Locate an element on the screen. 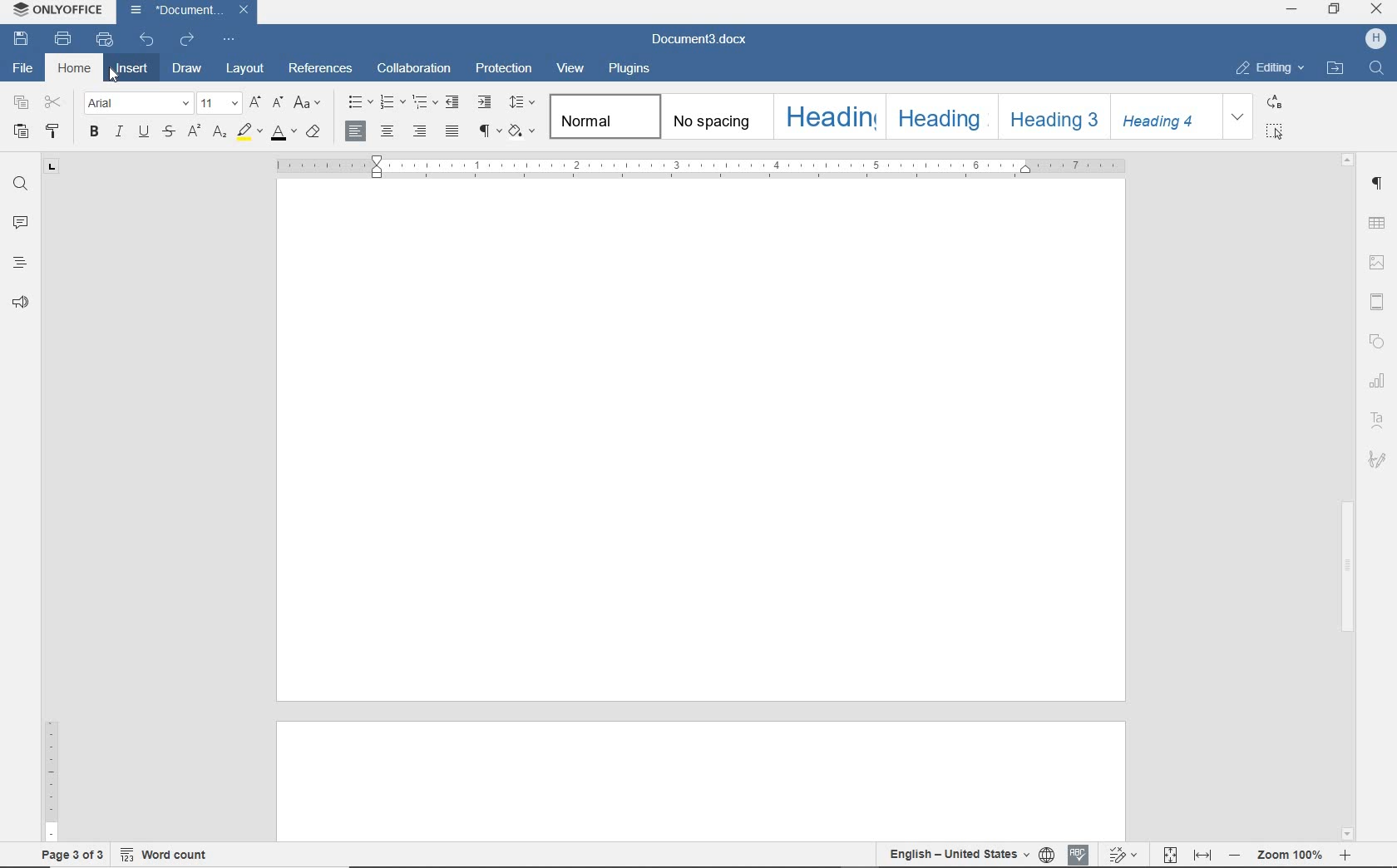  H is located at coordinates (1375, 40).